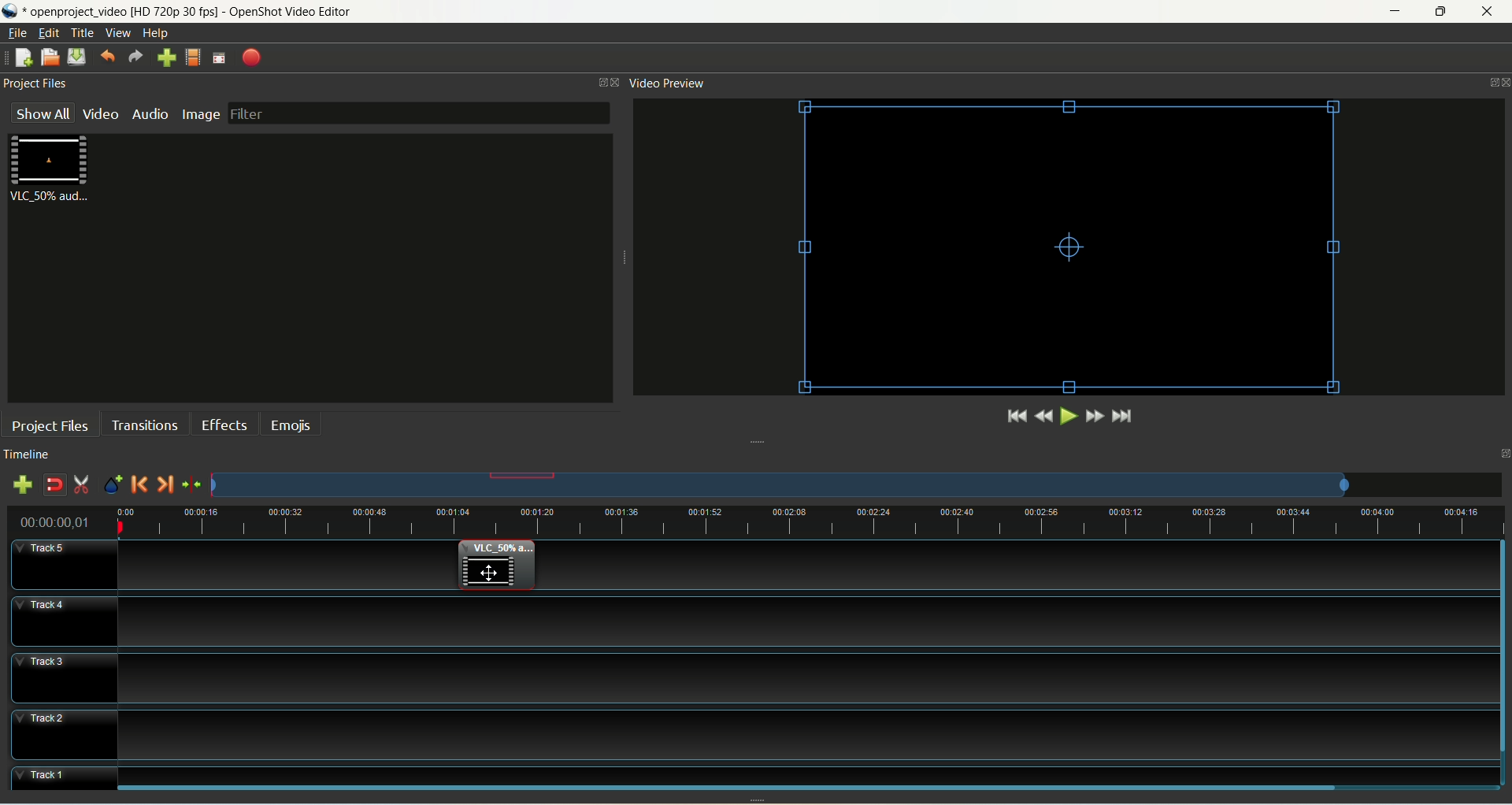 The width and height of the screenshot is (1512, 805). What do you see at coordinates (65, 565) in the screenshot?
I see `track5` at bounding box center [65, 565].